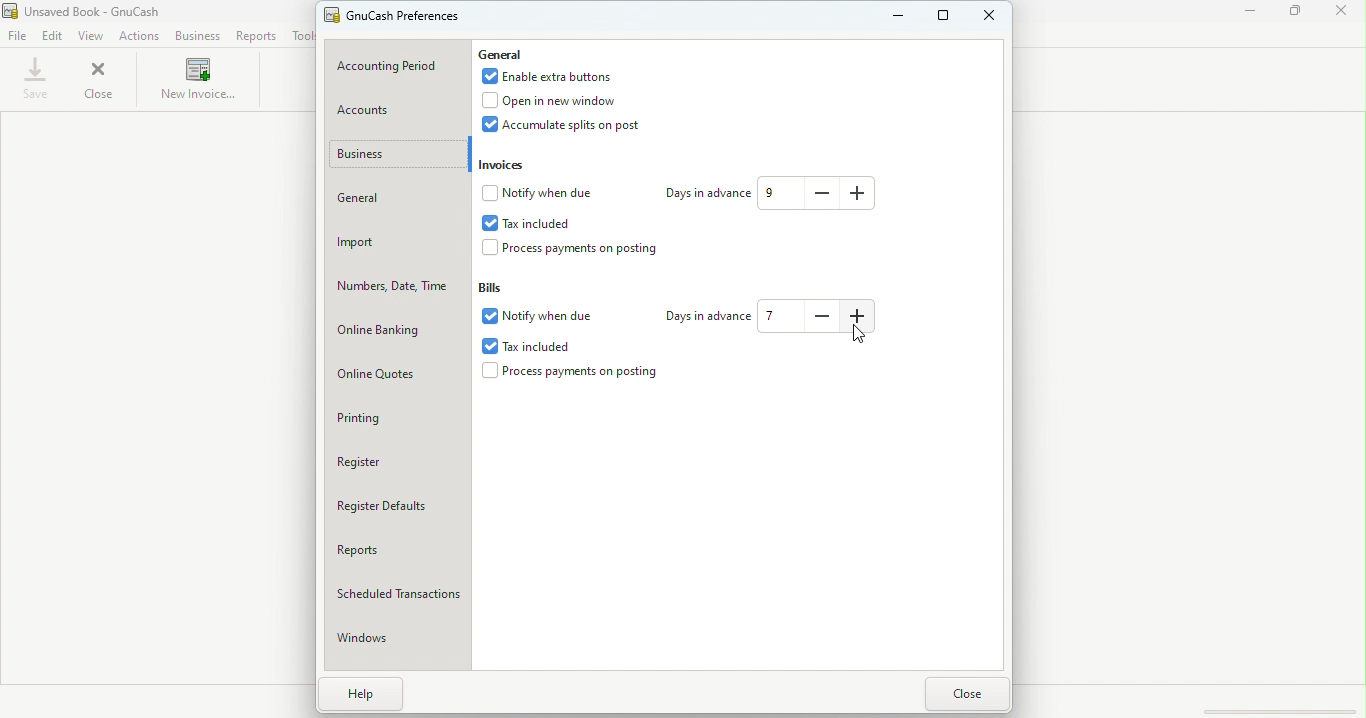 This screenshot has width=1366, height=718. What do you see at coordinates (398, 373) in the screenshot?
I see `Online quotes` at bounding box center [398, 373].